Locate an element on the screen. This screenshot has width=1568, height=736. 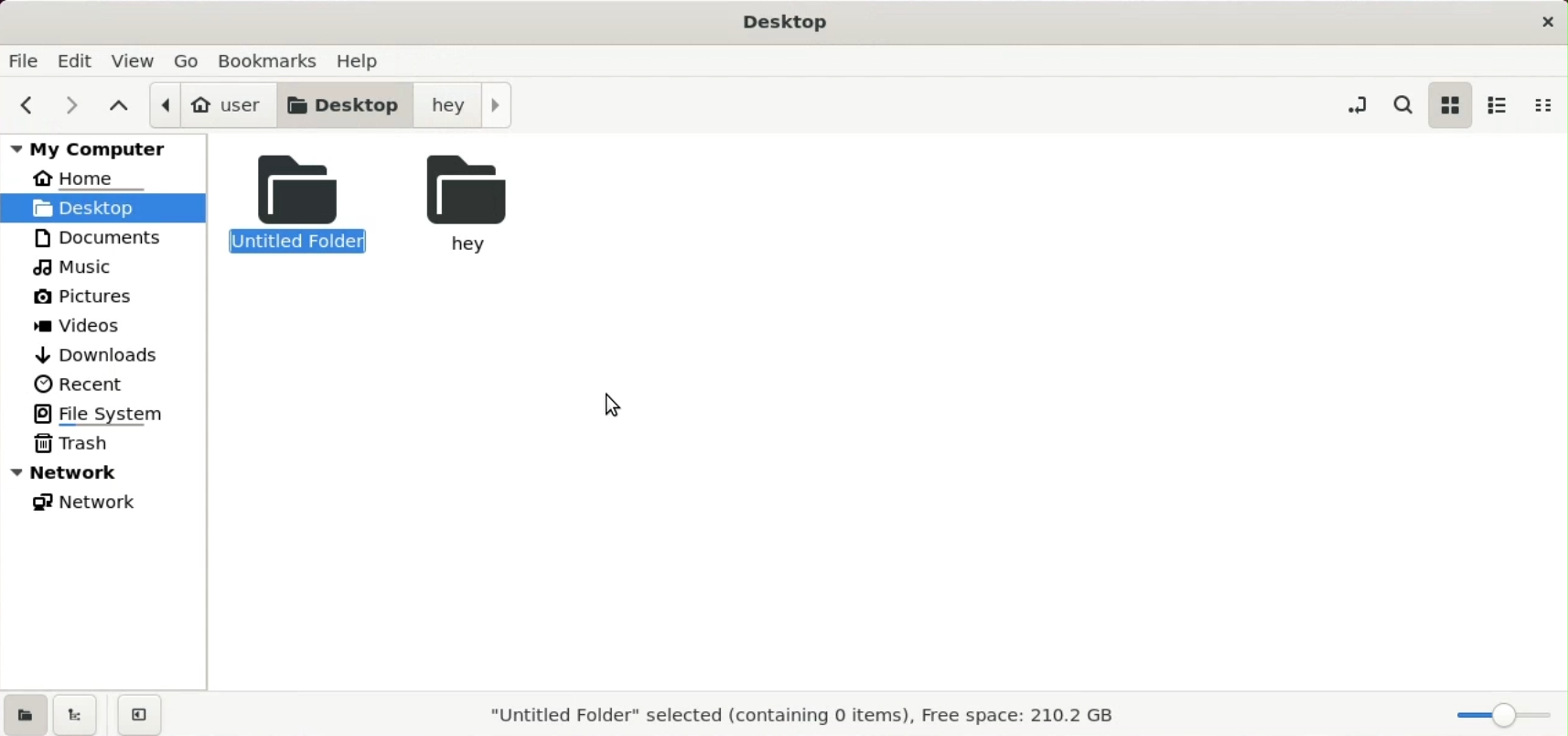
network is located at coordinates (89, 501).